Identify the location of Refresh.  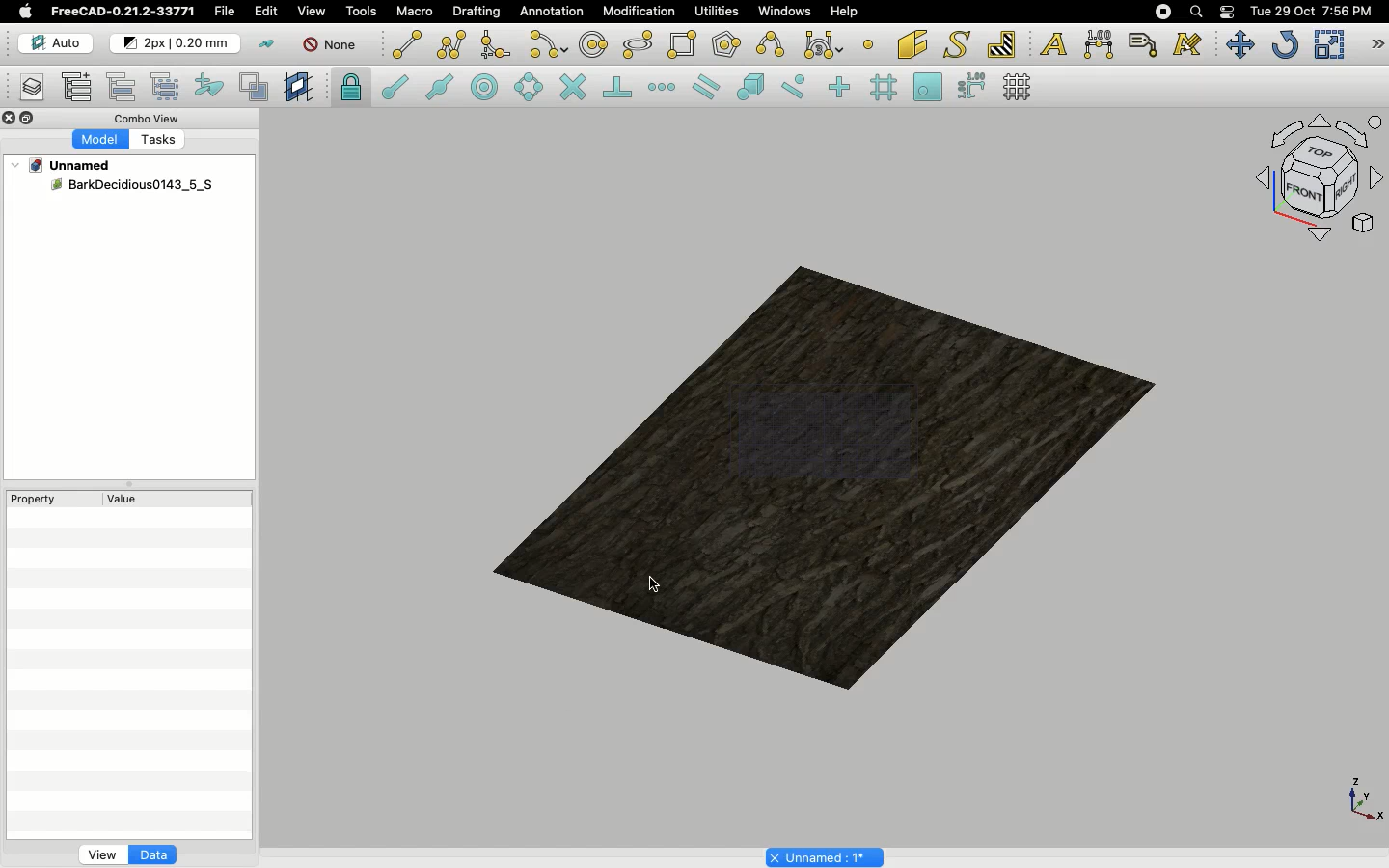
(1285, 46).